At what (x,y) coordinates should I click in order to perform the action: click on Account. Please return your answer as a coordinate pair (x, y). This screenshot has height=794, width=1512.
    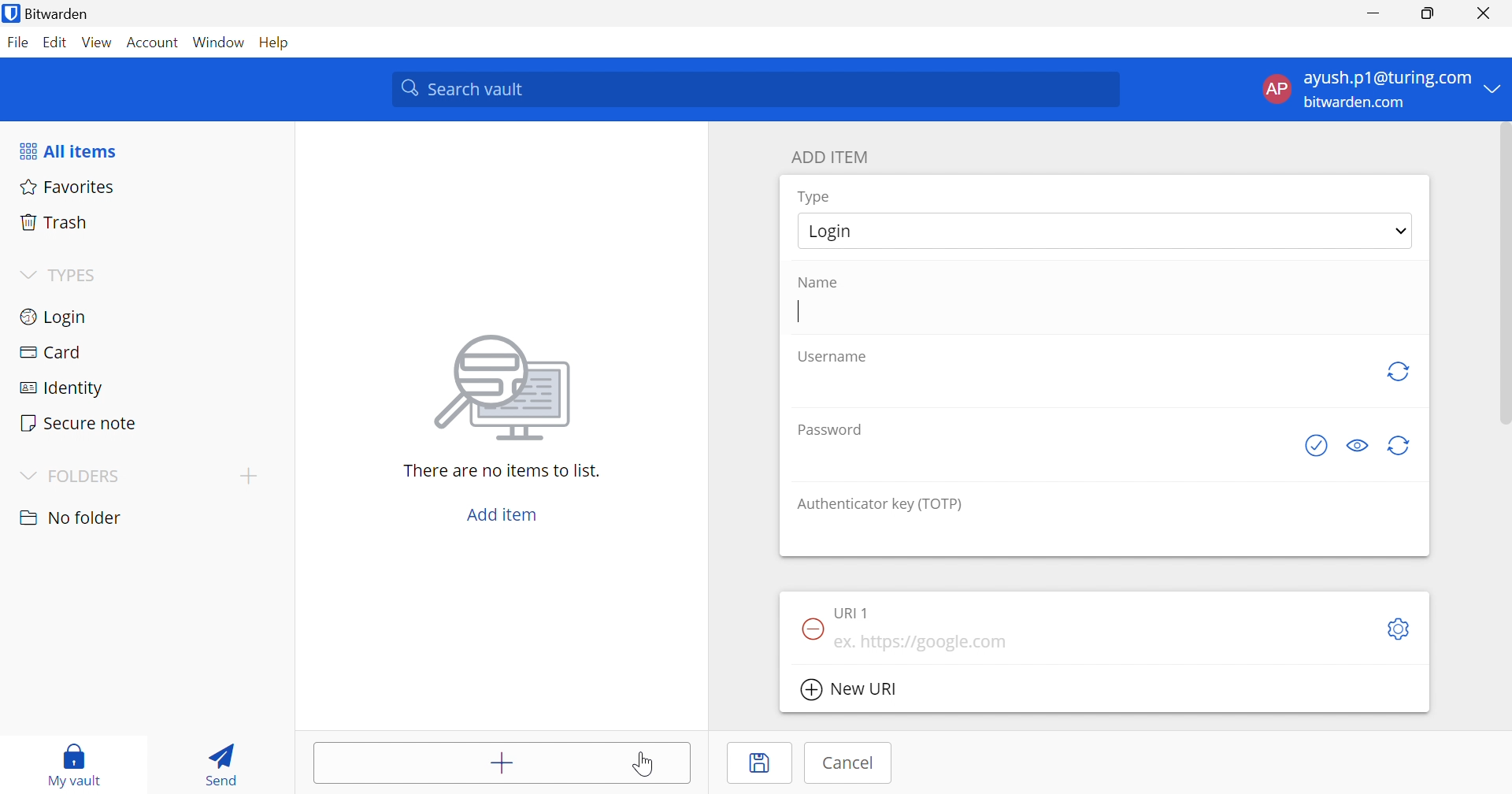
    Looking at the image, I should click on (154, 40).